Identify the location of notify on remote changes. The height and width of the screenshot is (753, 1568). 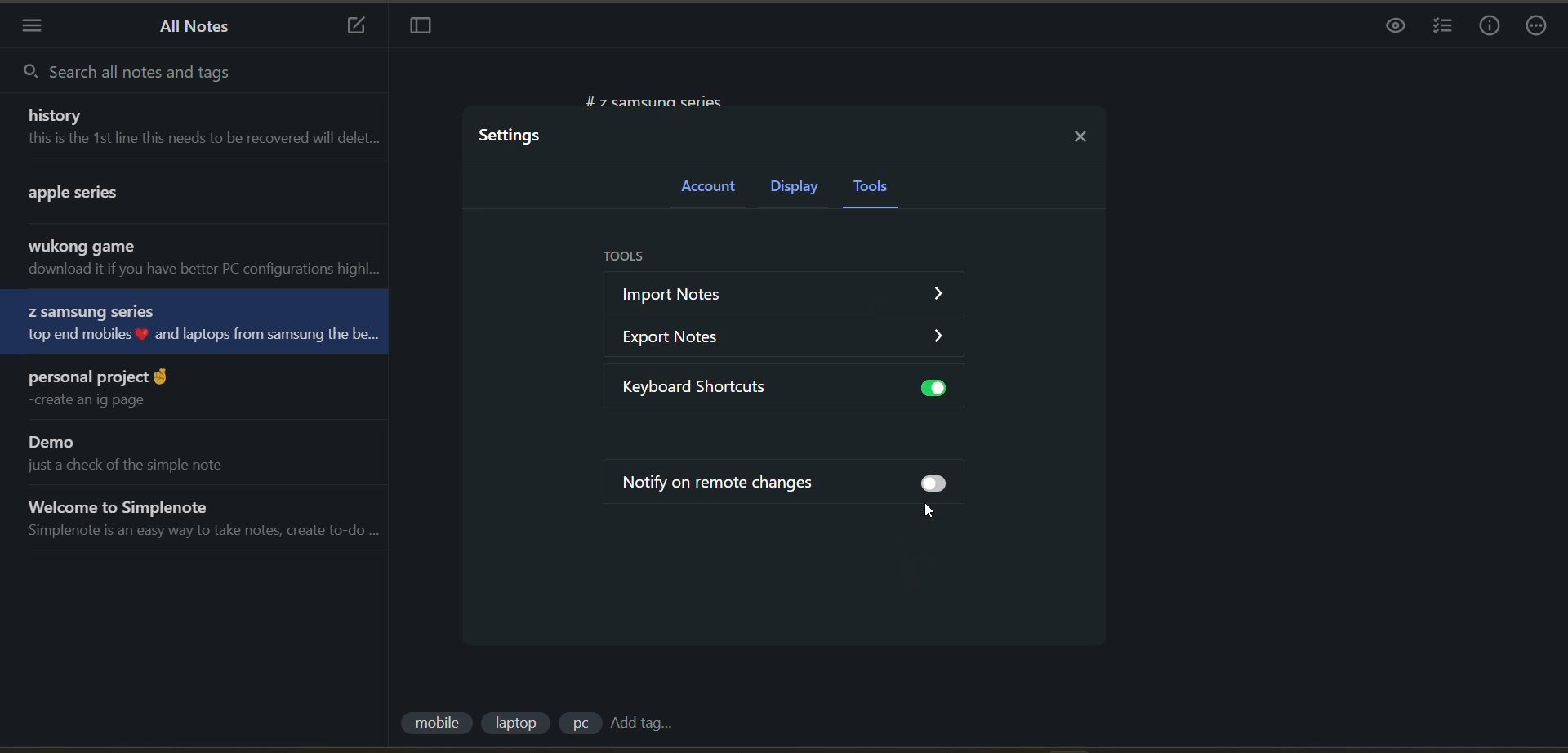
(714, 483).